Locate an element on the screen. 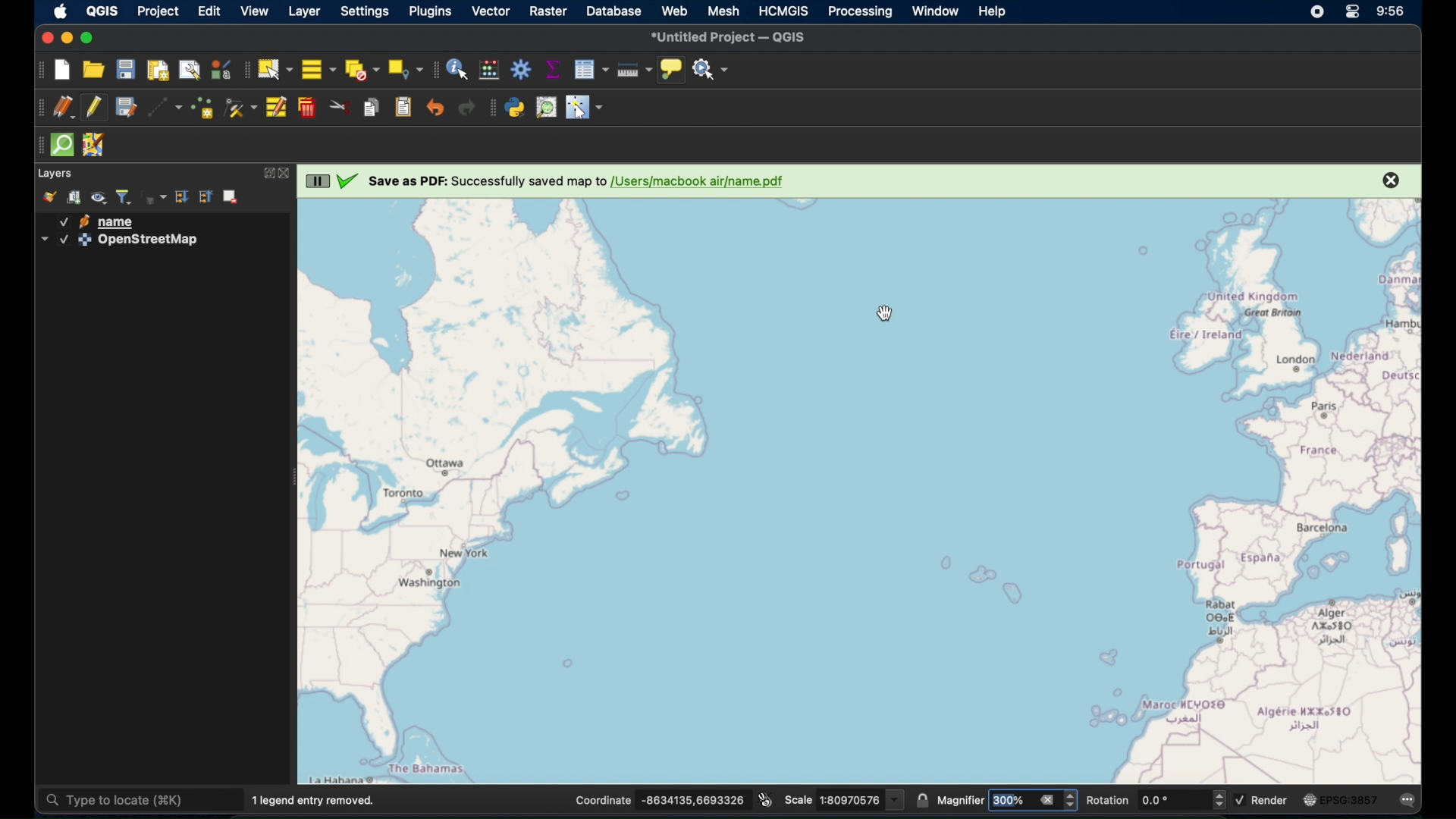 The image size is (1456, 819). render is located at coordinates (1263, 799).